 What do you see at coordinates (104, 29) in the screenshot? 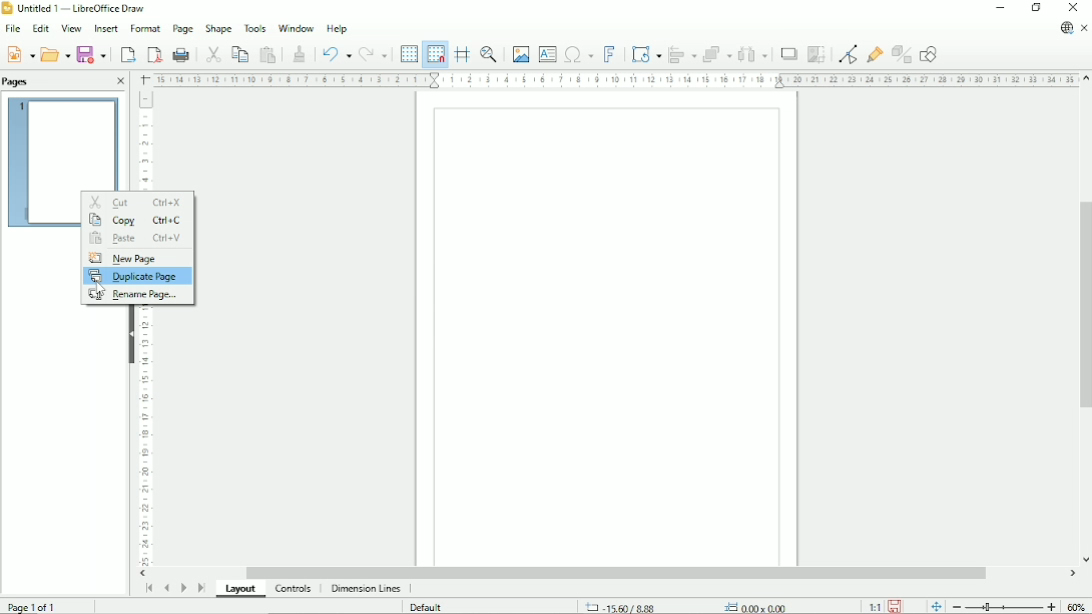
I see `Insert` at bounding box center [104, 29].